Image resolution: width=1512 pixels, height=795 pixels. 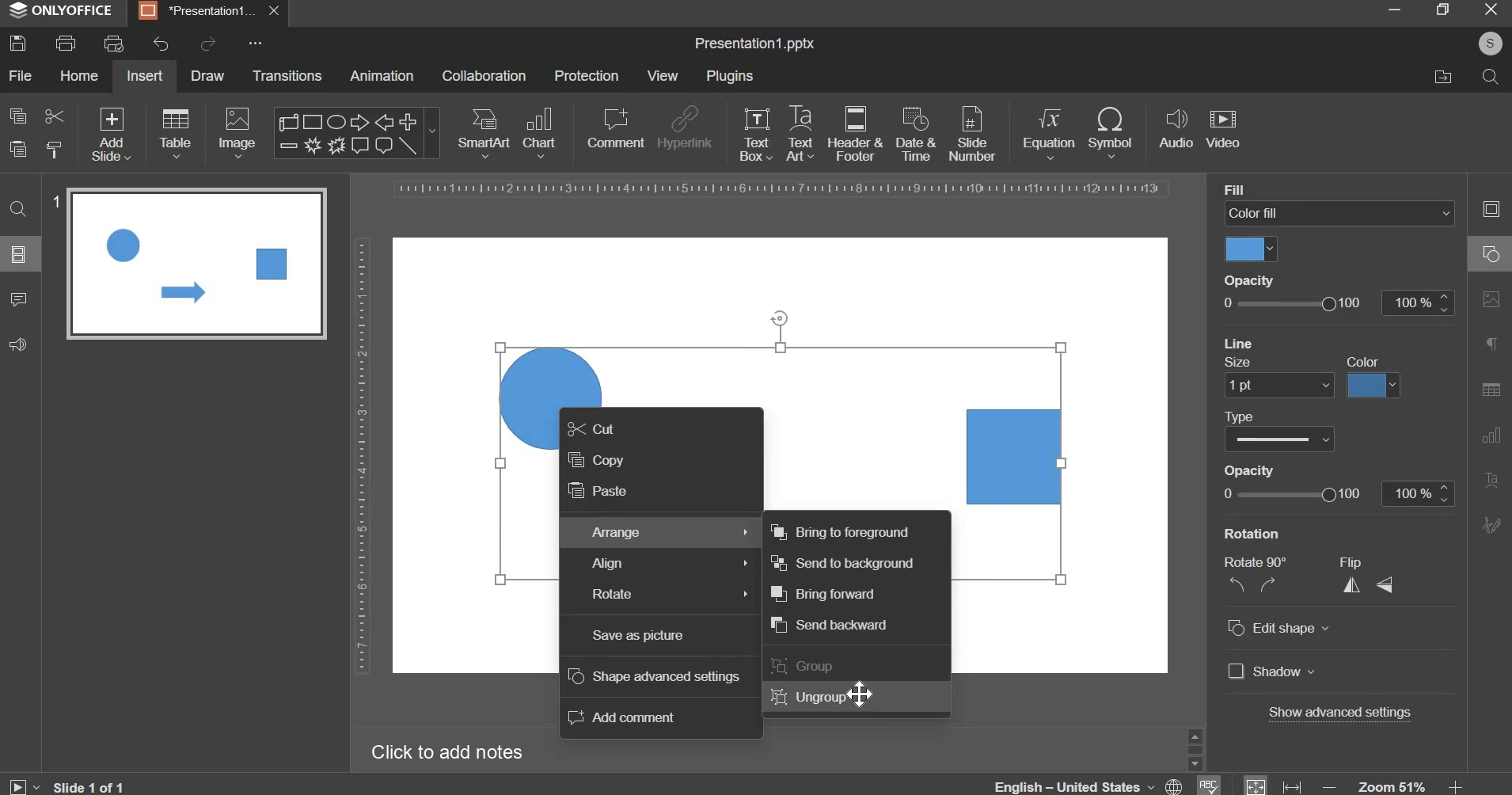 I want to click on copy, so click(x=596, y=458).